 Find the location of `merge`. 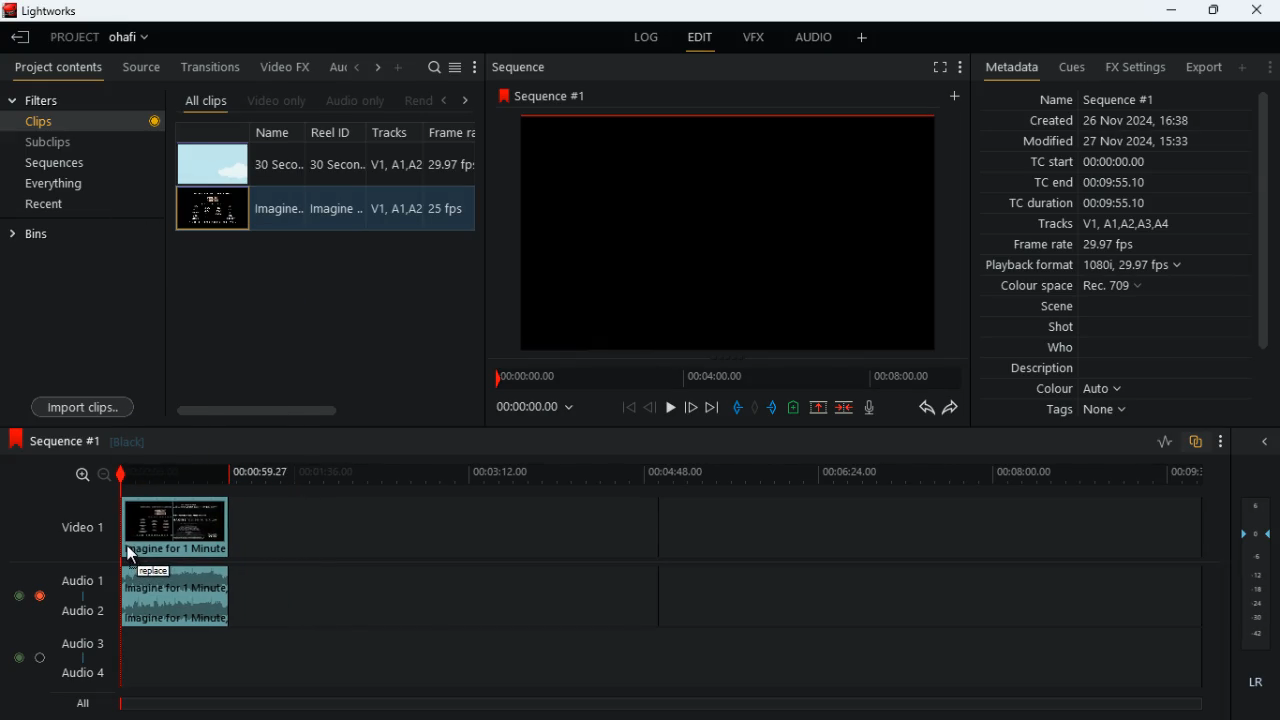

merge is located at coordinates (845, 406).